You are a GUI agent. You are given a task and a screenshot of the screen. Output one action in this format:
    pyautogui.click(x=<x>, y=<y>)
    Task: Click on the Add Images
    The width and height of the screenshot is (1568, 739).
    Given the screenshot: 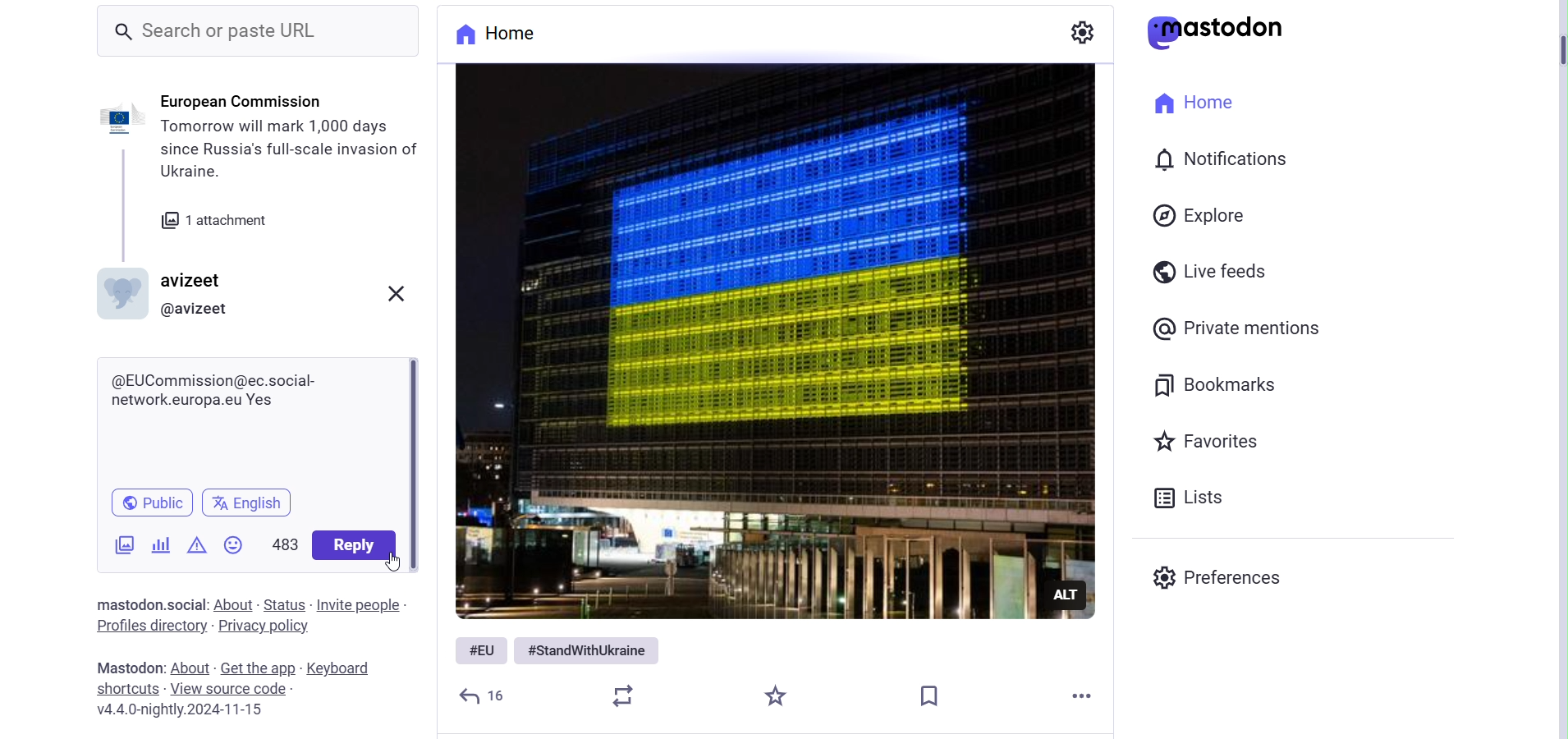 What is the action you would take?
    pyautogui.click(x=125, y=545)
    